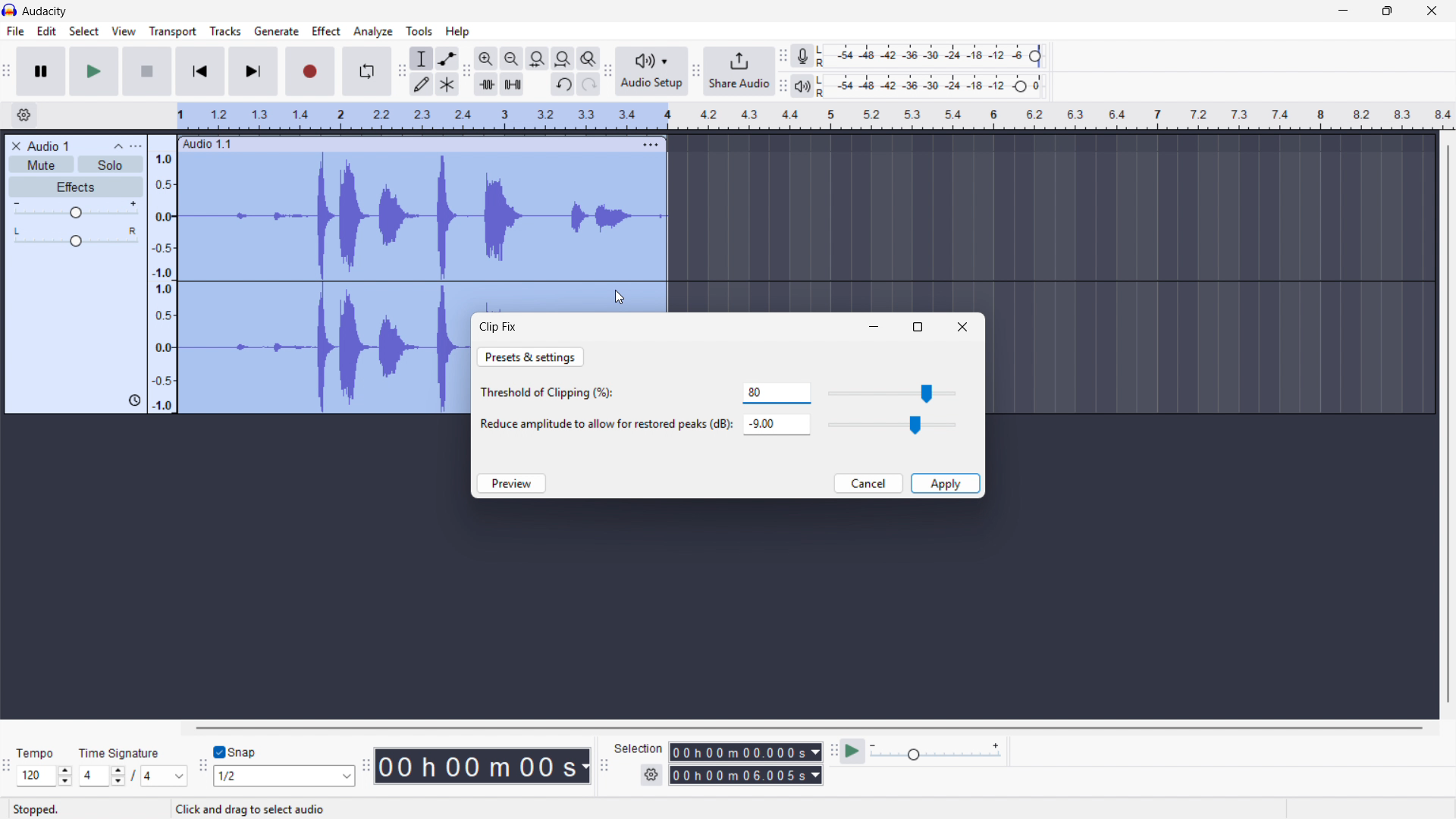 Image resolution: width=1456 pixels, height=819 pixels. I want to click on Transport toolbar , so click(6, 73).